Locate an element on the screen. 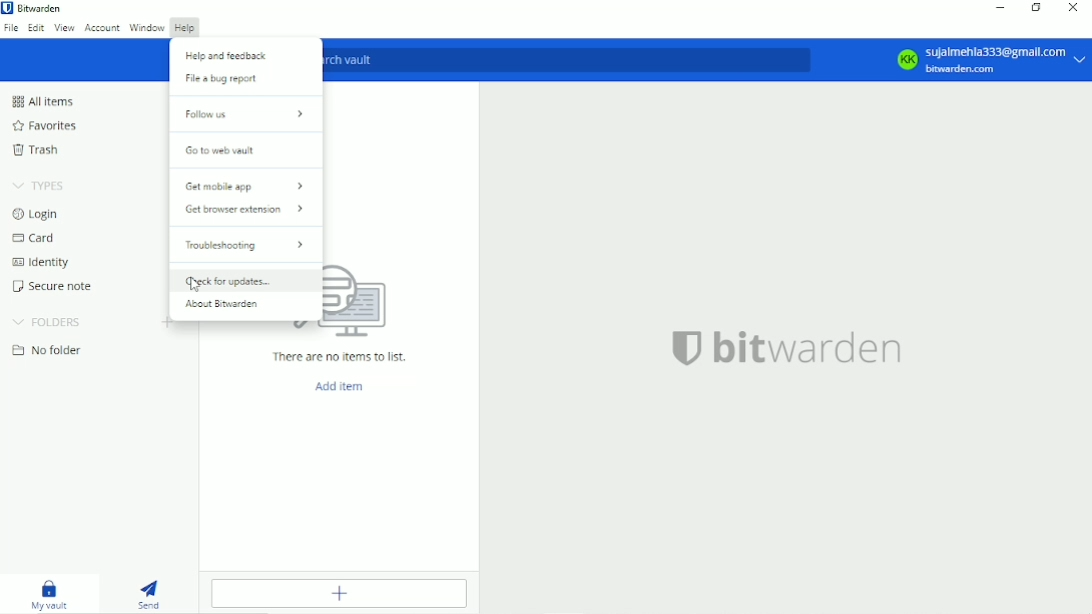 Image resolution: width=1092 pixels, height=614 pixels. Create folder is located at coordinates (164, 324).